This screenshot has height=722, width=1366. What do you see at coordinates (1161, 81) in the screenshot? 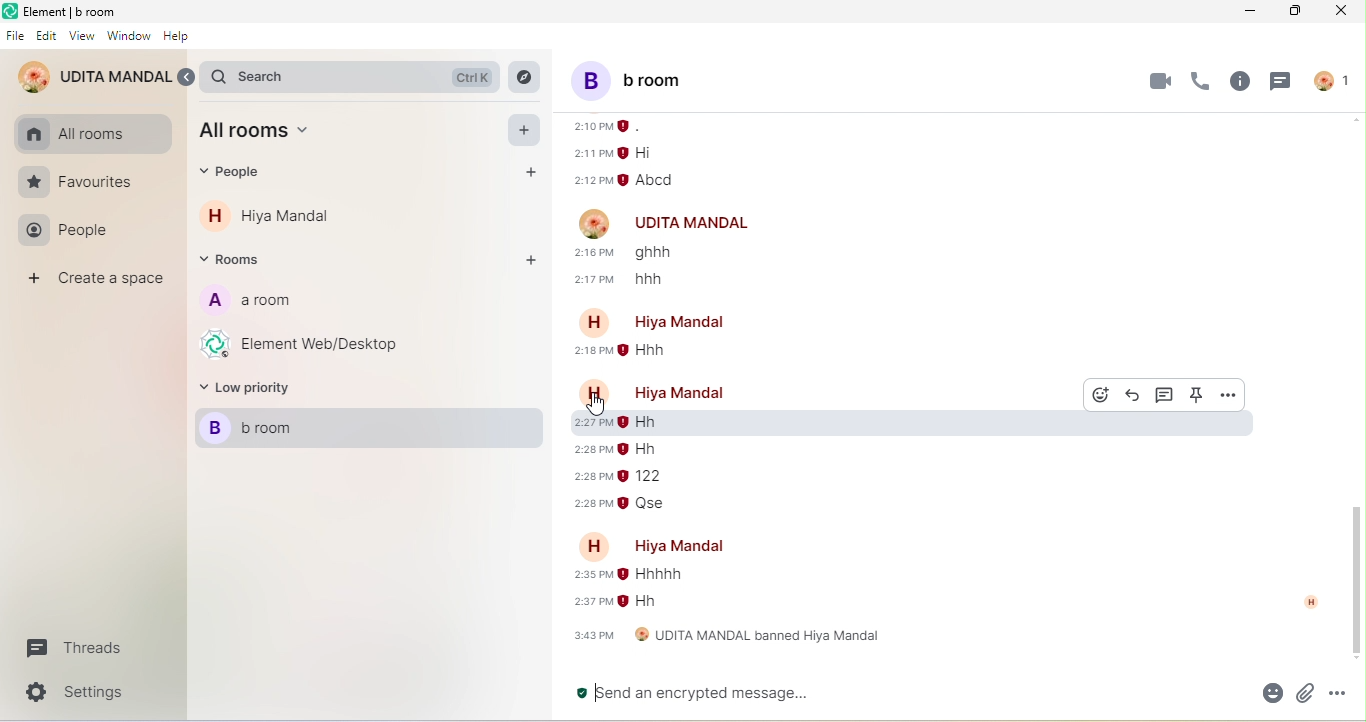
I see `video call` at bounding box center [1161, 81].